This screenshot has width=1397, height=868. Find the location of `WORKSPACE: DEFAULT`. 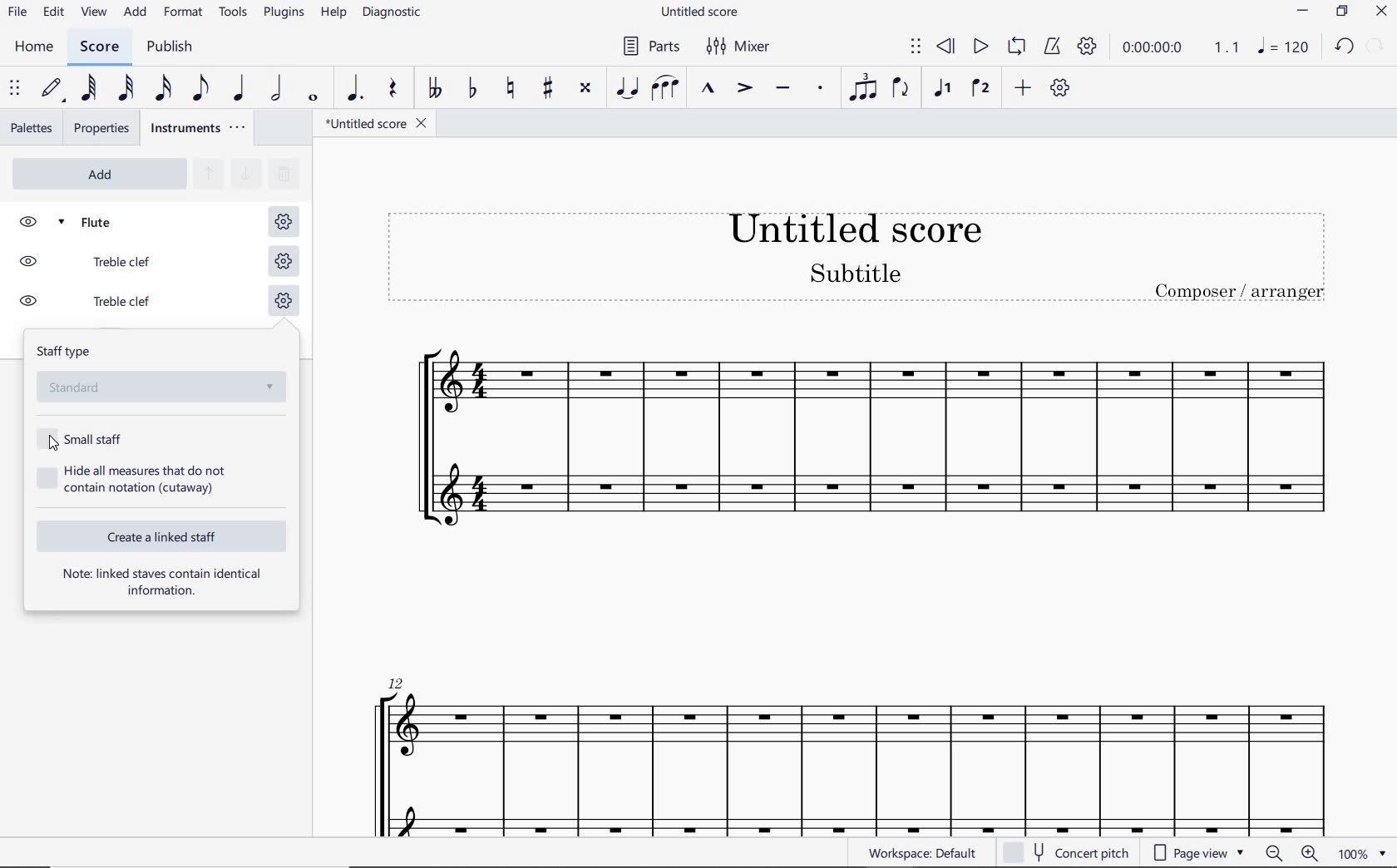

WORKSPACE: DEFAULT is located at coordinates (926, 853).